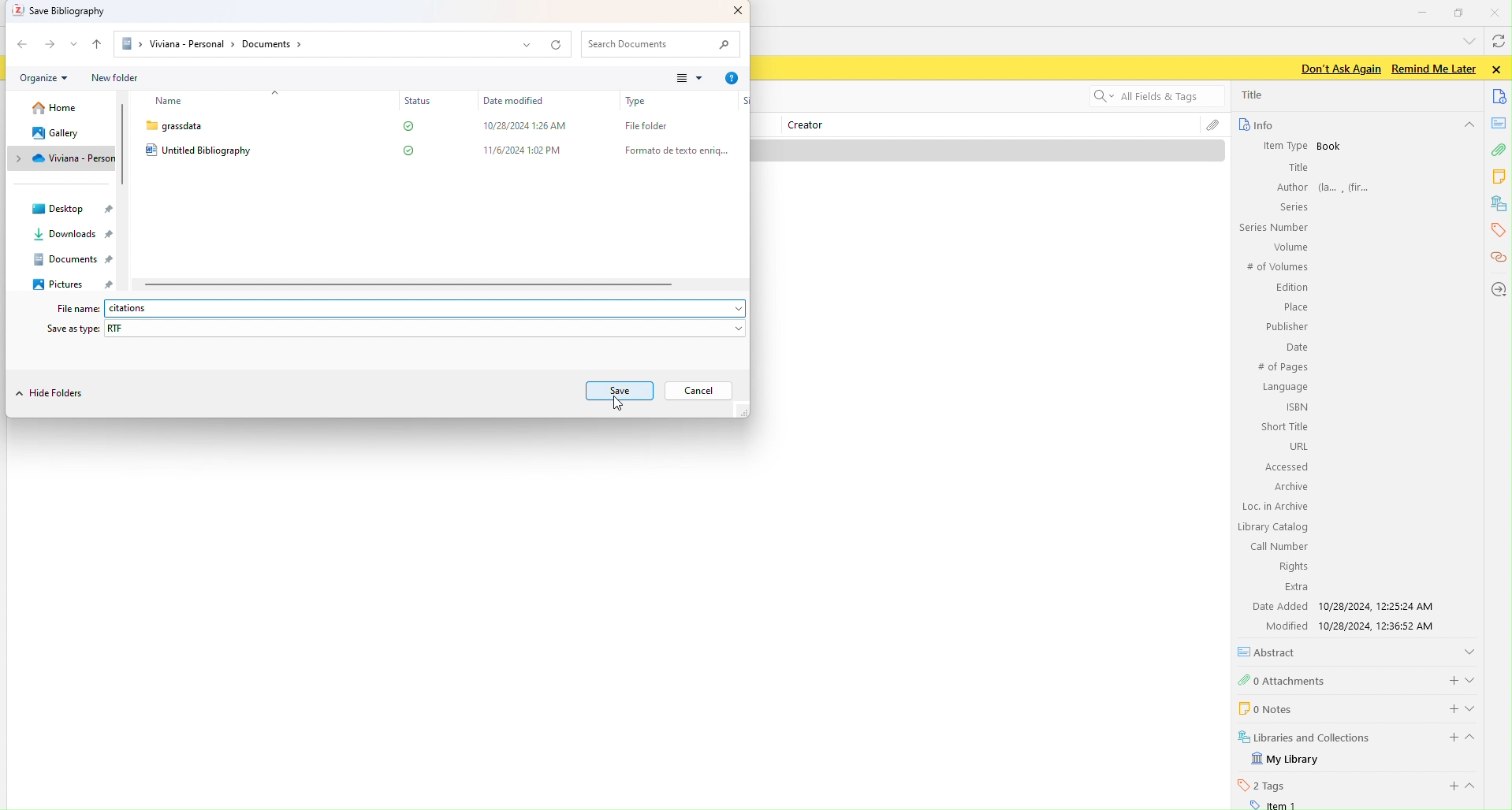  Describe the element at coordinates (409, 285) in the screenshot. I see `scroll` at that location.